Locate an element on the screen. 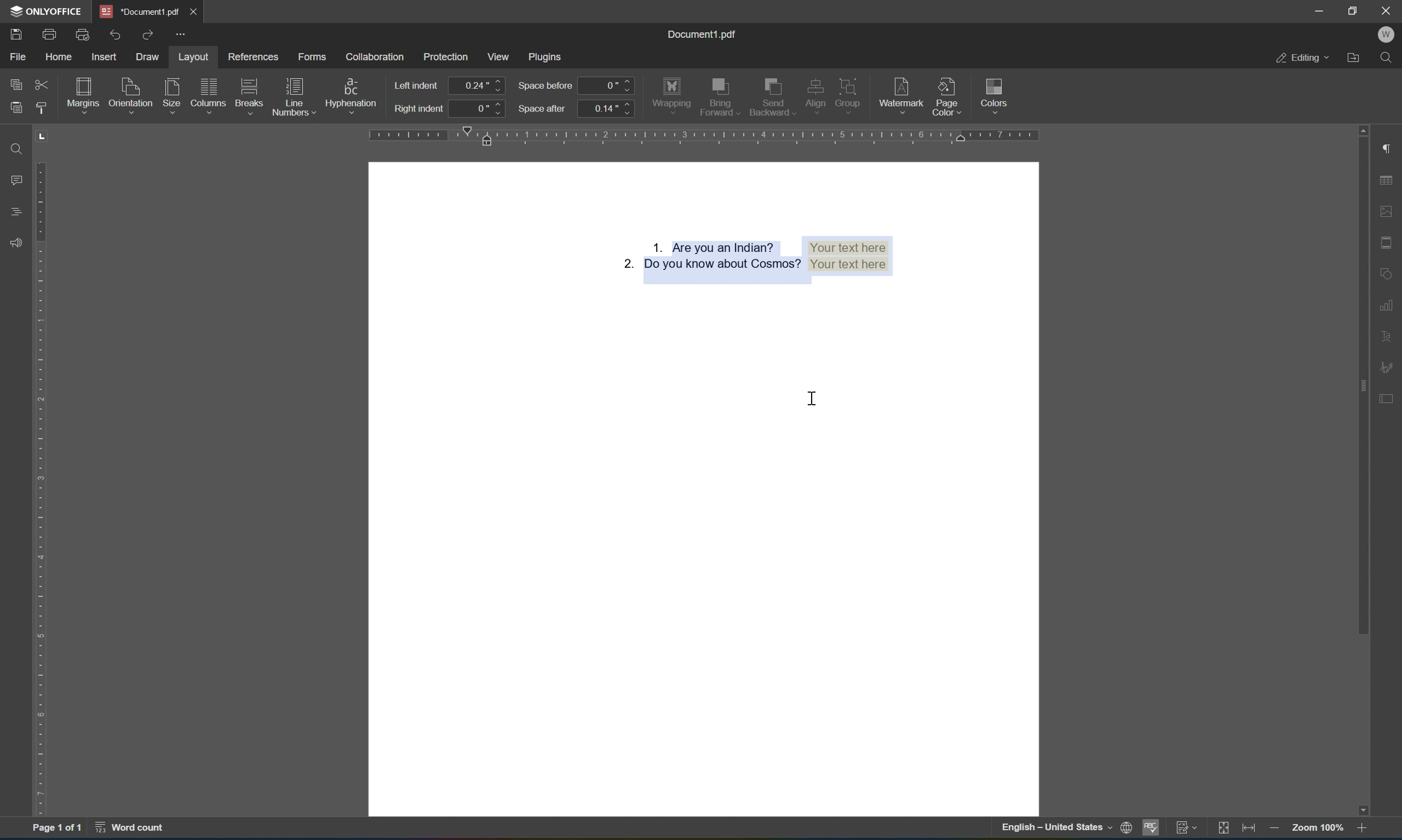  breaks is located at coordinates (249, 96).